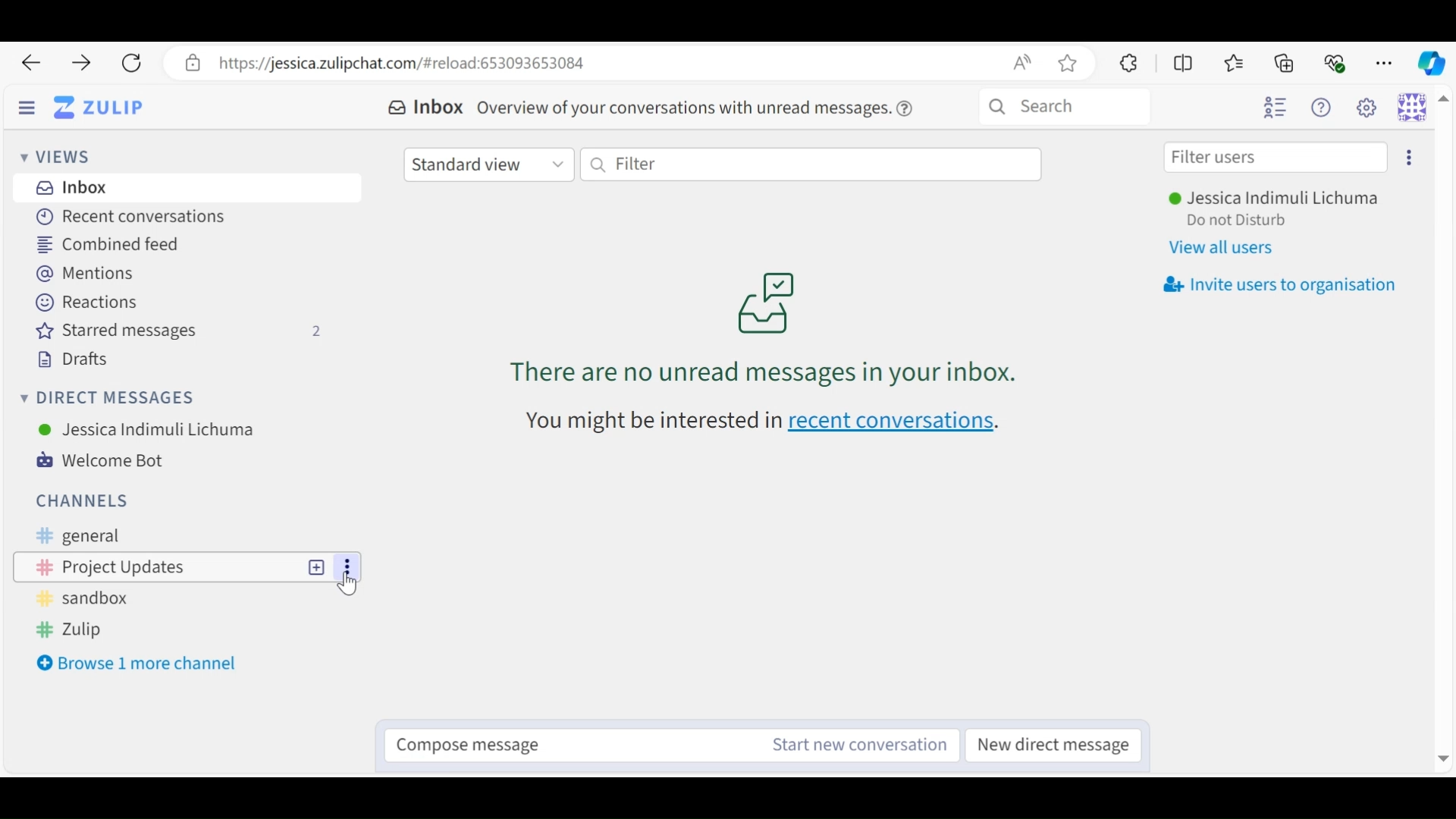 This screenshot has width=1456, height=819. What do you see at coordinates (61, 158) in the screenshot?
I see `Views` at bounding box center [61, 158].